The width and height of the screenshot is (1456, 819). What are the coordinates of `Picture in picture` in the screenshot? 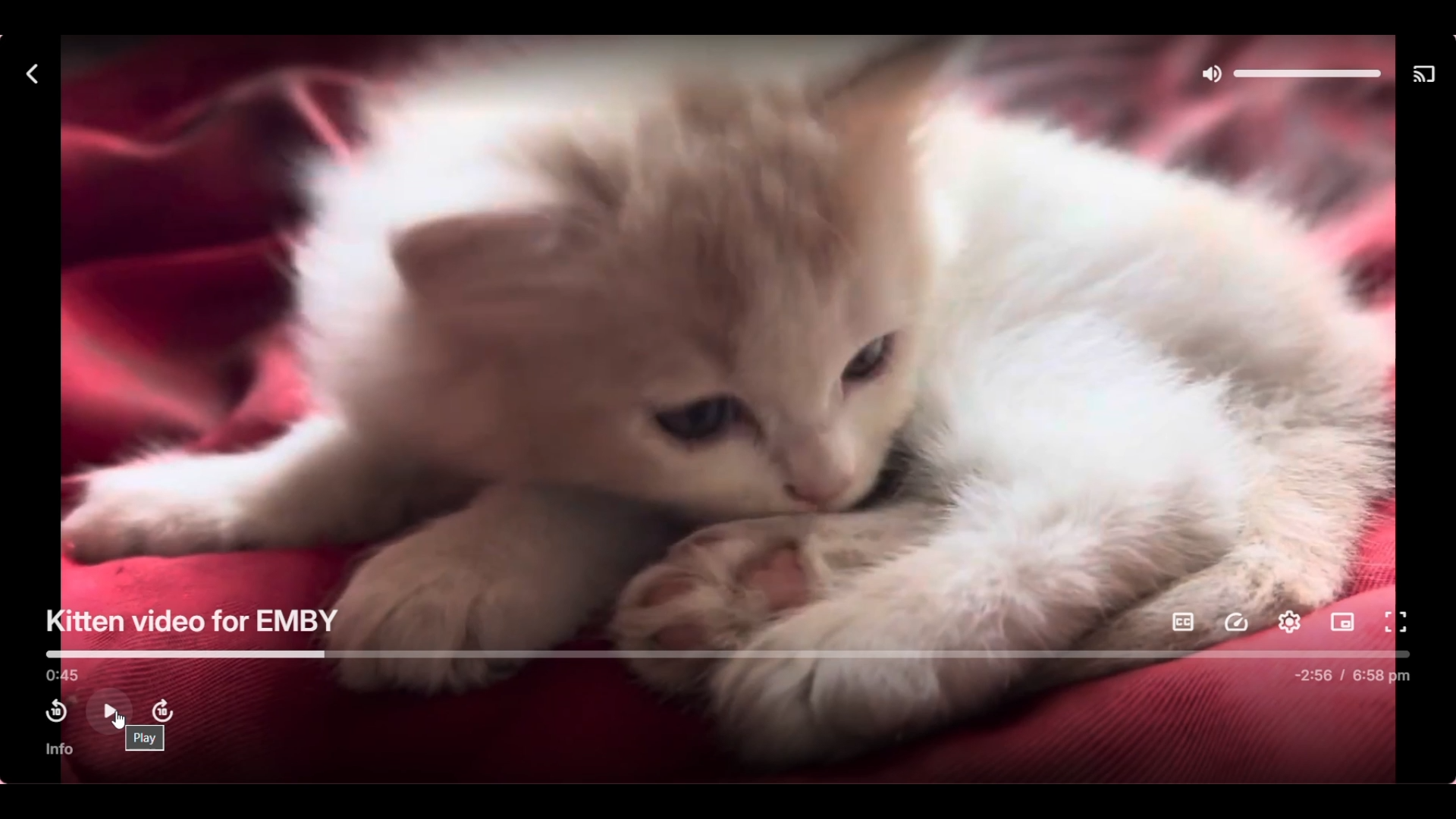 It's located at (1342, 623).